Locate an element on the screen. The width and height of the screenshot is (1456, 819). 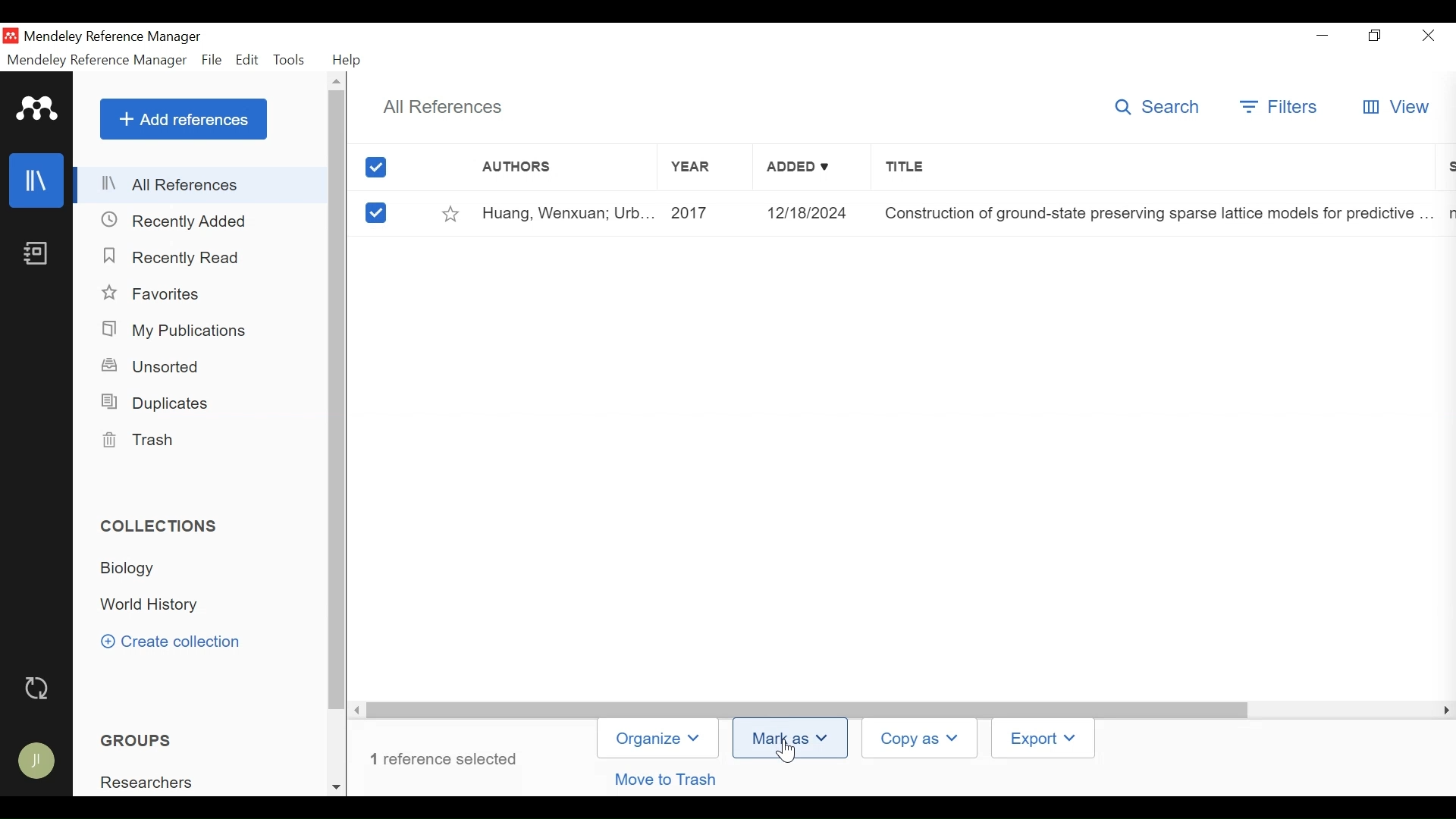
Recently Read is located at coordinates (171, 257).